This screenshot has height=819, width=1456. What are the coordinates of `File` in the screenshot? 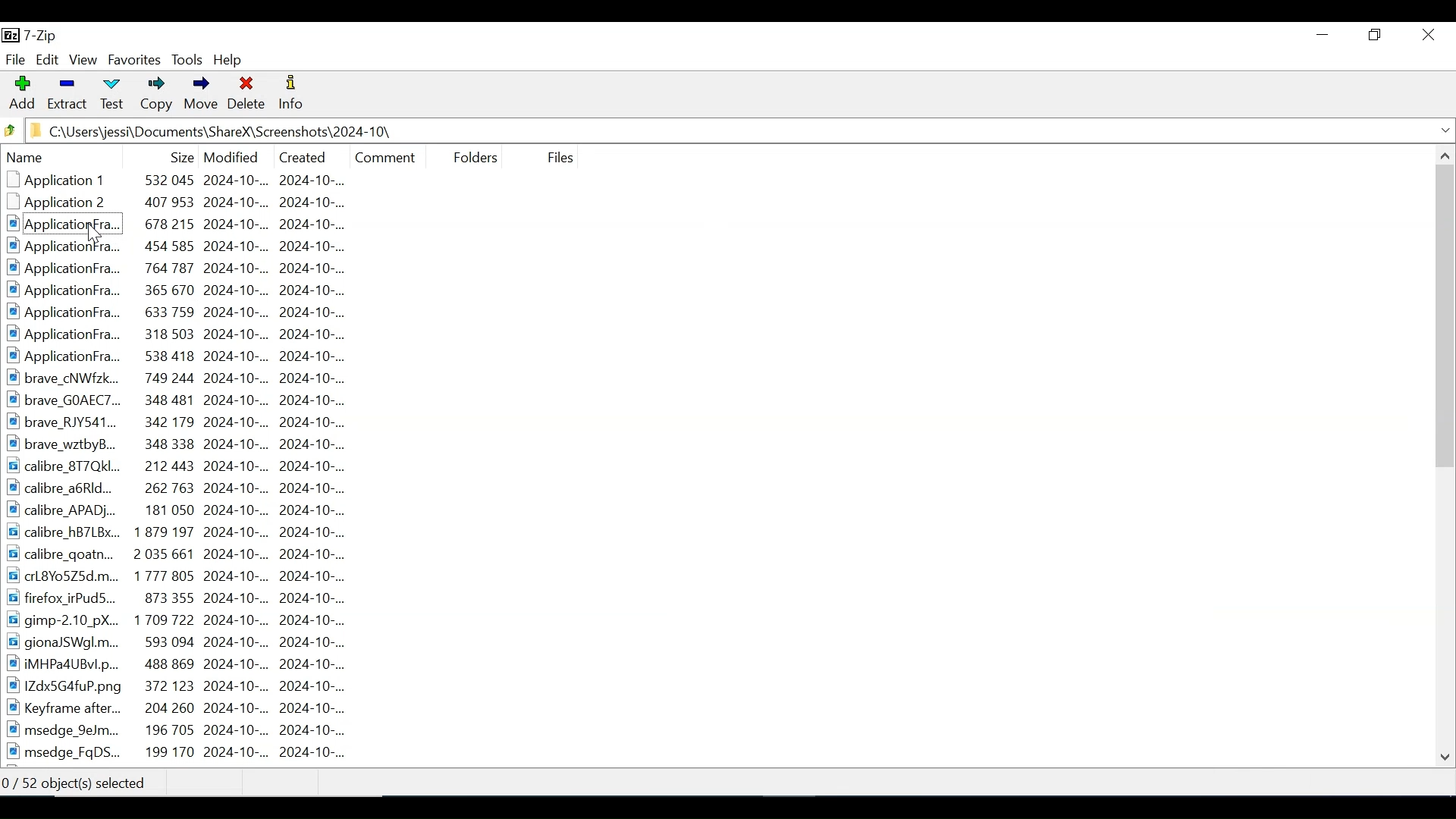 It's located at (558, 157).